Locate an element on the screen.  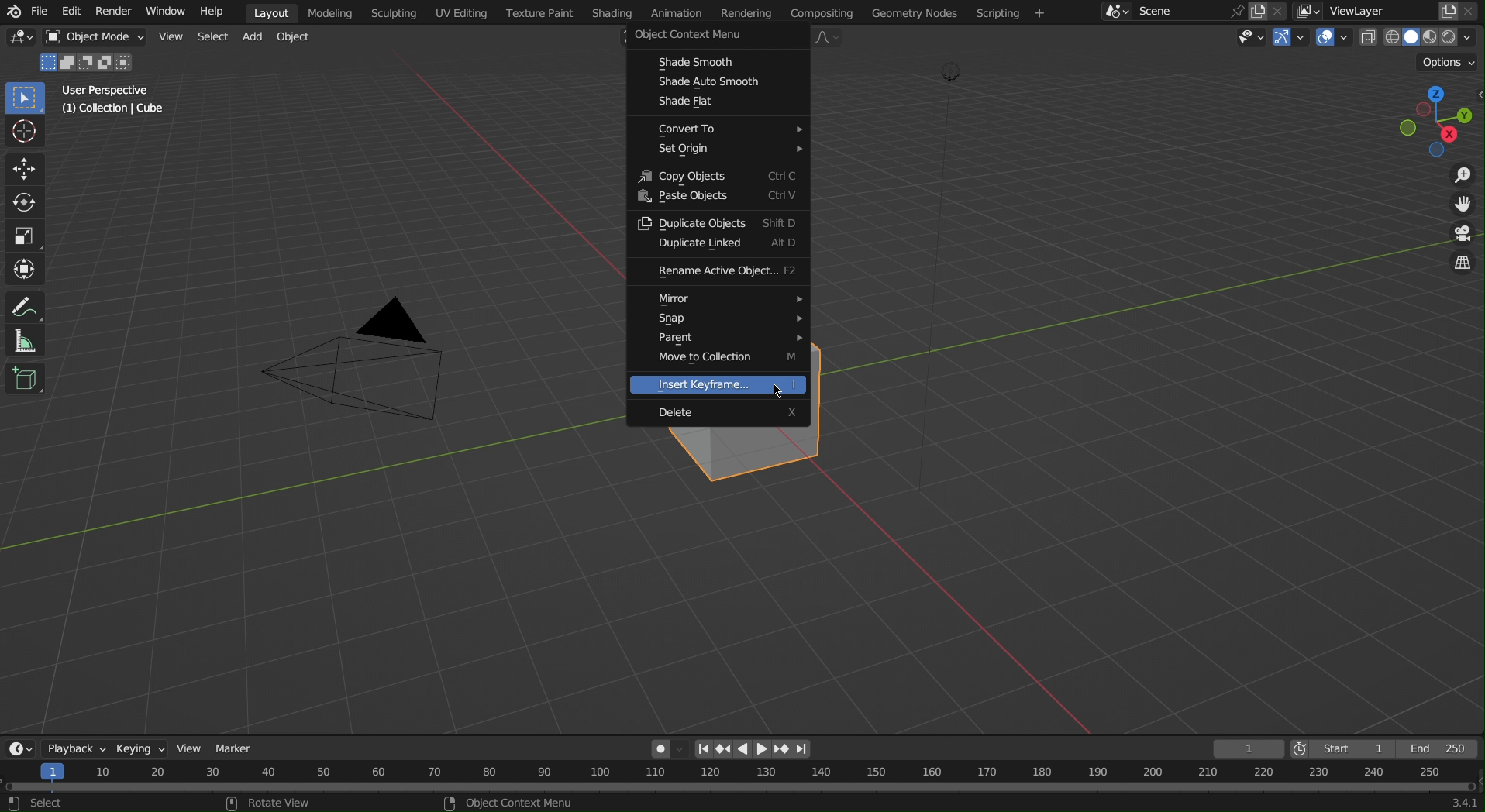
Scale is located at coordinates (24, 238).